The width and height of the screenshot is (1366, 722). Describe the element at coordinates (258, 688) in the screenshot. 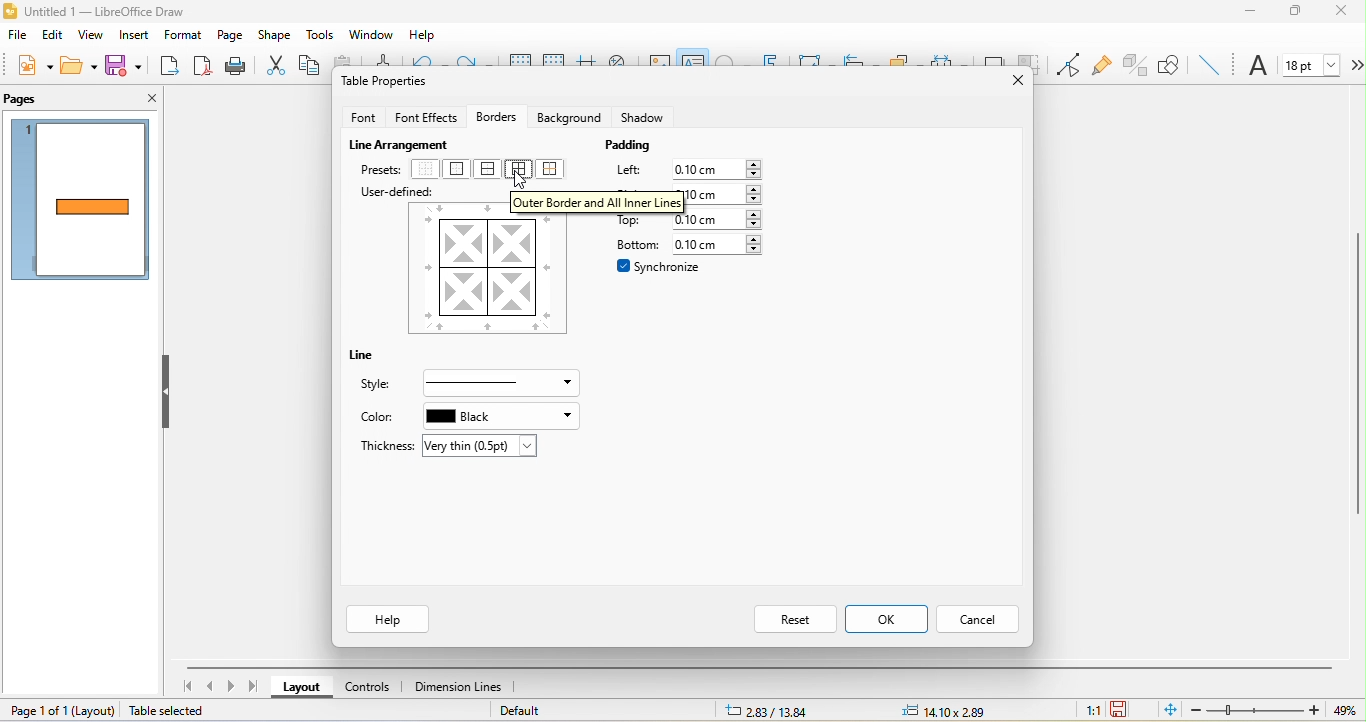

I see `last page` at that location.